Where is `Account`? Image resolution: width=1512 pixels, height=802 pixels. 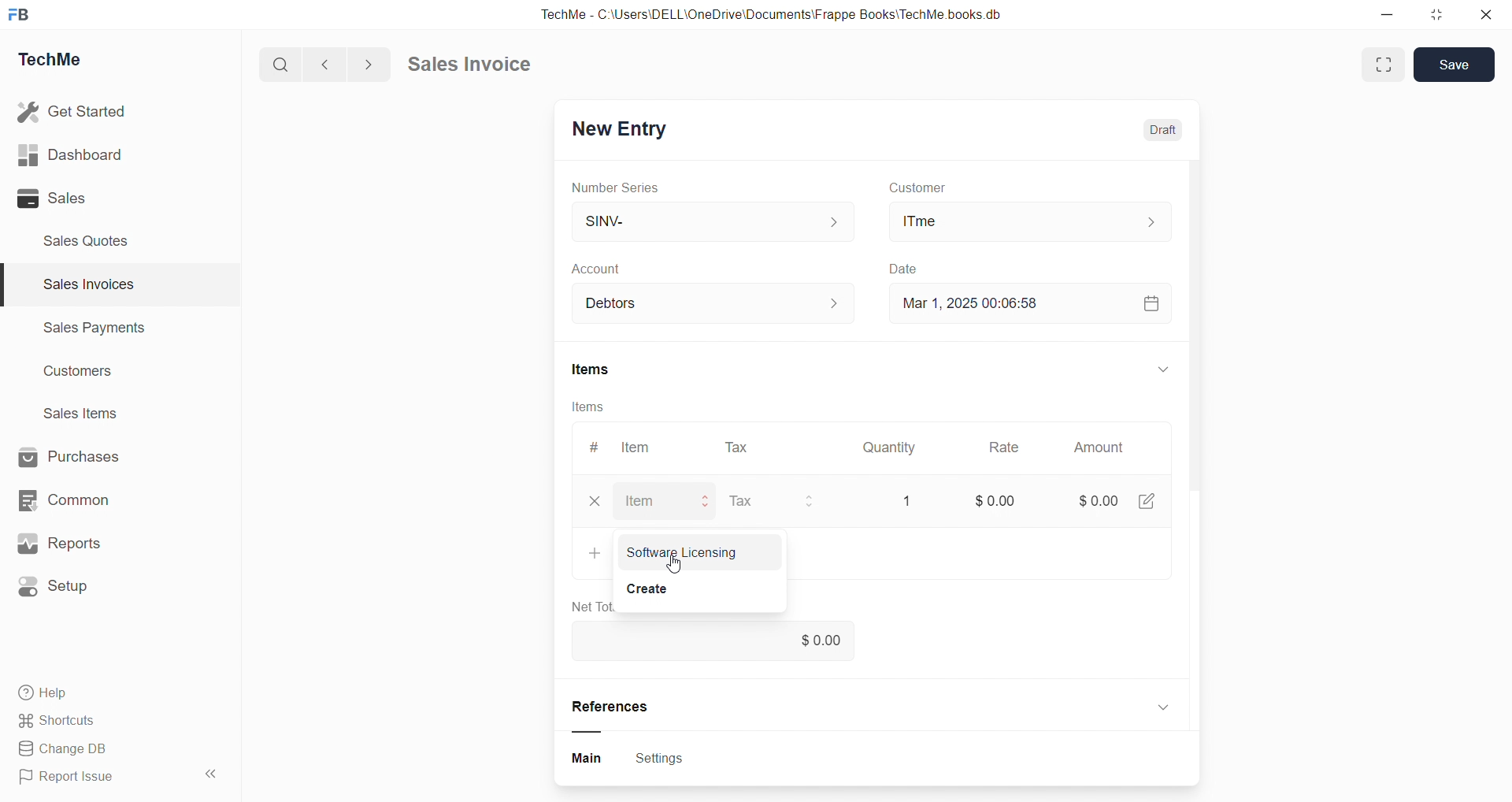 Account is located at coordinates (621, 304).